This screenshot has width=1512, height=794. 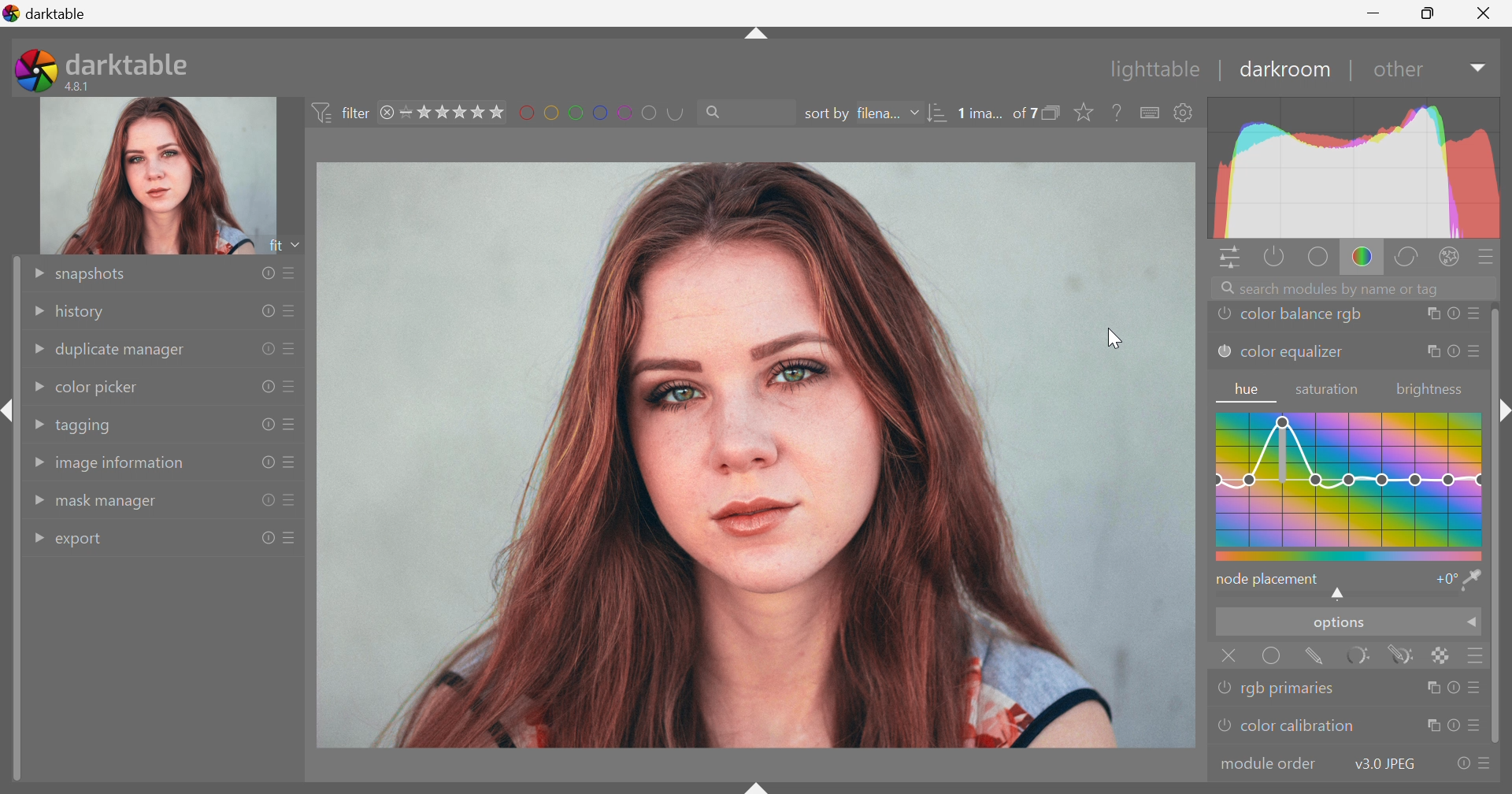 I want to click on Drop Down, so click(x=1473, y=625).